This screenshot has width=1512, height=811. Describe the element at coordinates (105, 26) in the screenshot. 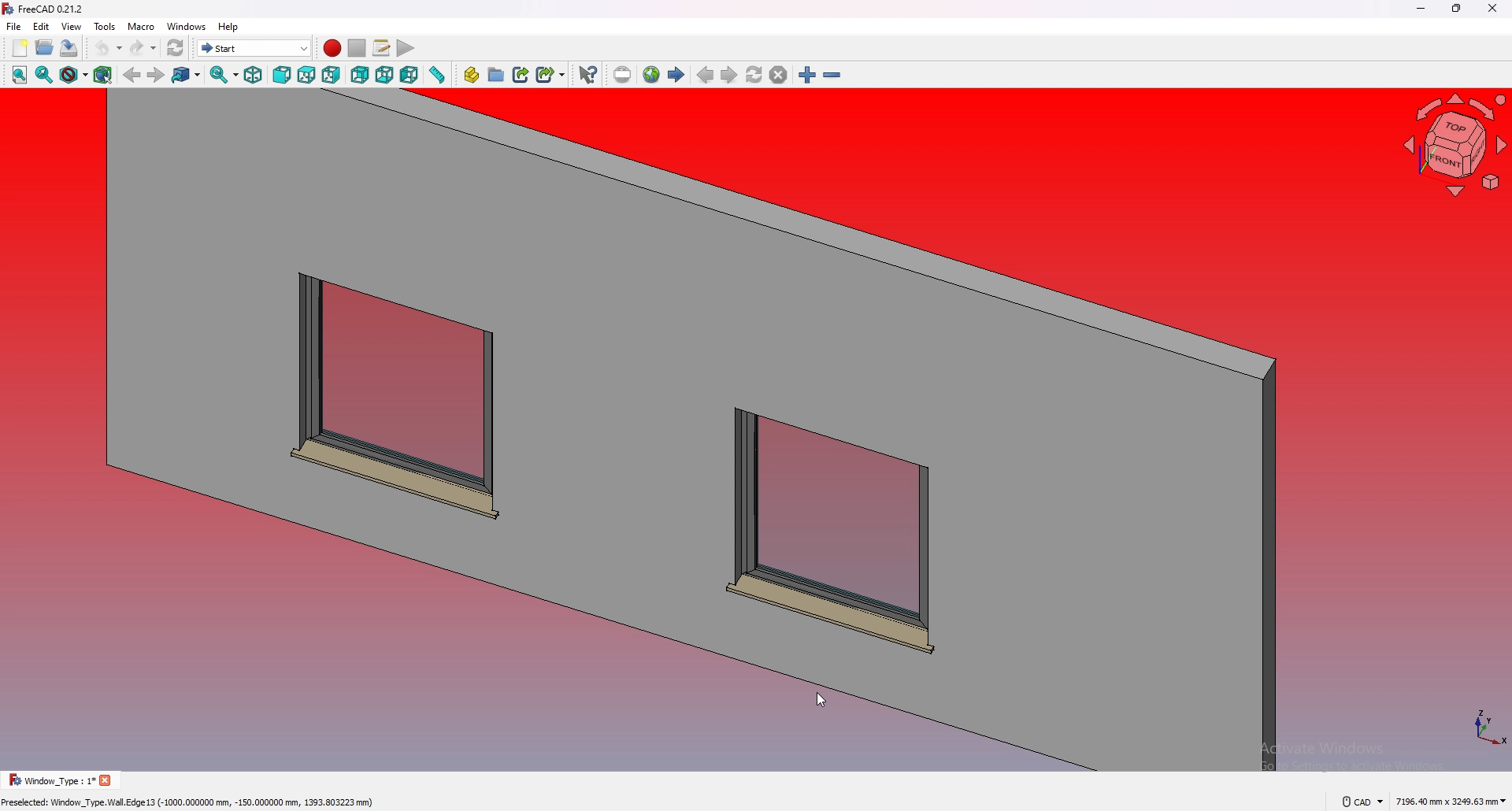

I see `tools` at that location.